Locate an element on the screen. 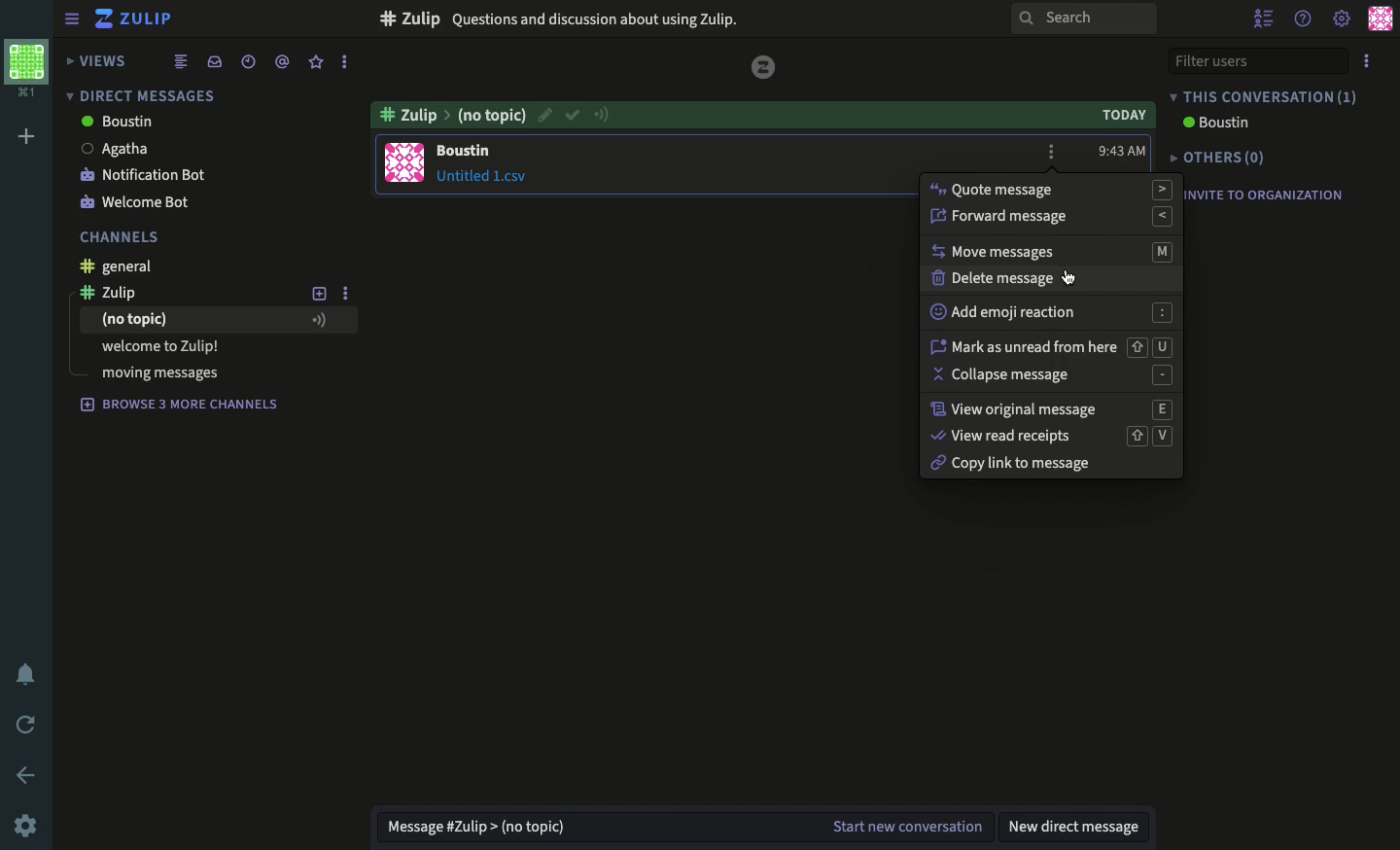  view original message is located at coordinates (1055, 410).